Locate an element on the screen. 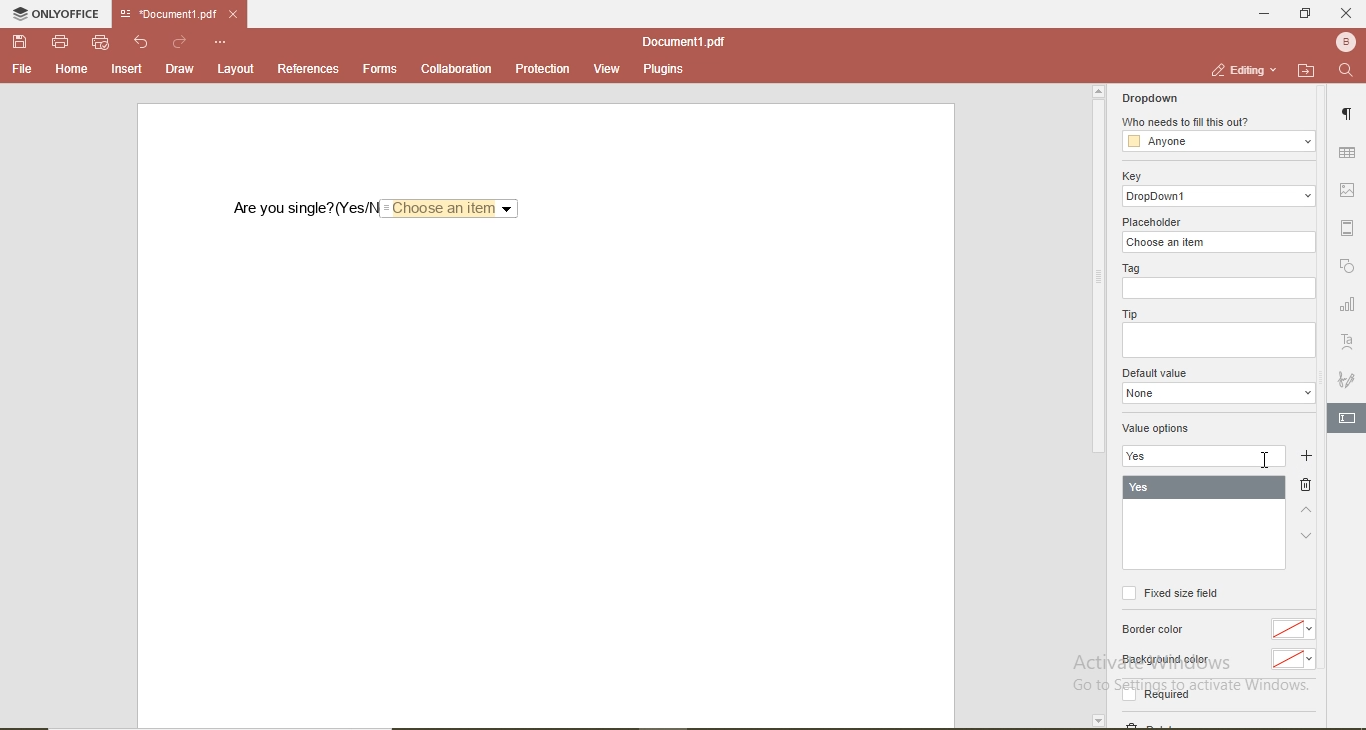 The width and height of the screenshot is (1366, 730). open file location is located at coordinates (1307, 71).